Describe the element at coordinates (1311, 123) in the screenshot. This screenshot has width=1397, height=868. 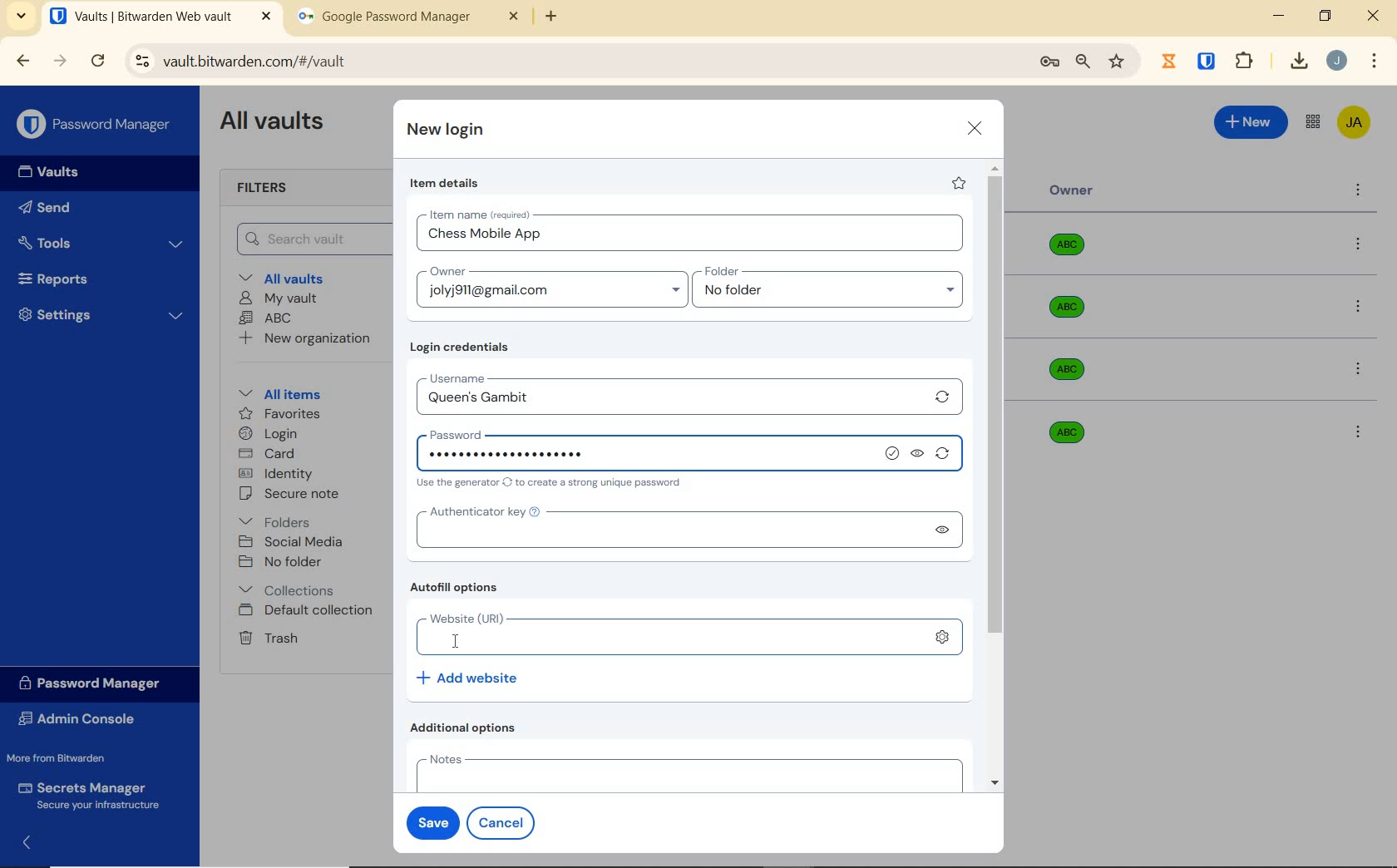
I see `toggle between admin console and password manager` at that location.